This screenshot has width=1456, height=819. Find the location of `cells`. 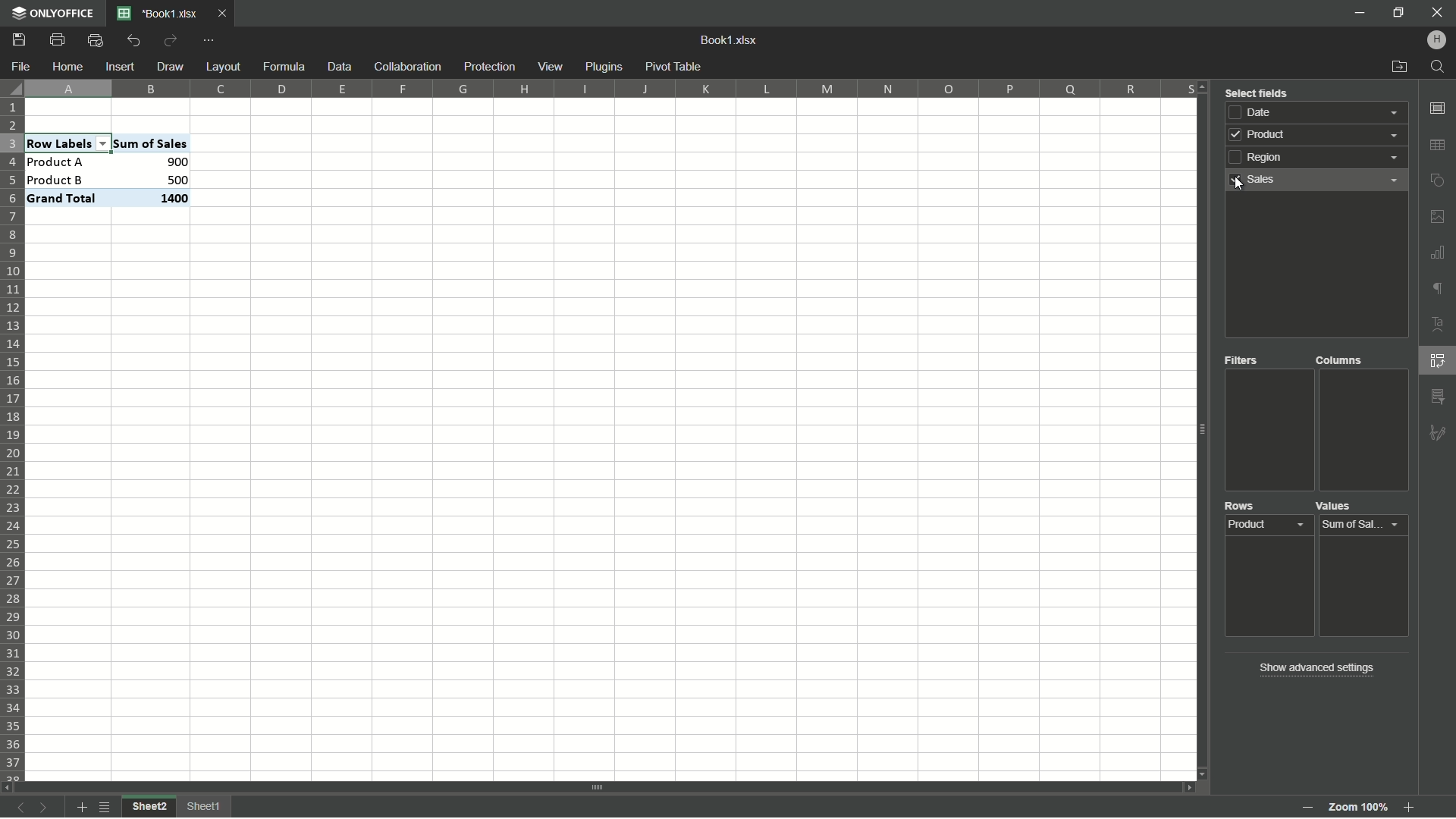

cells is located at coordinates (127, 494).